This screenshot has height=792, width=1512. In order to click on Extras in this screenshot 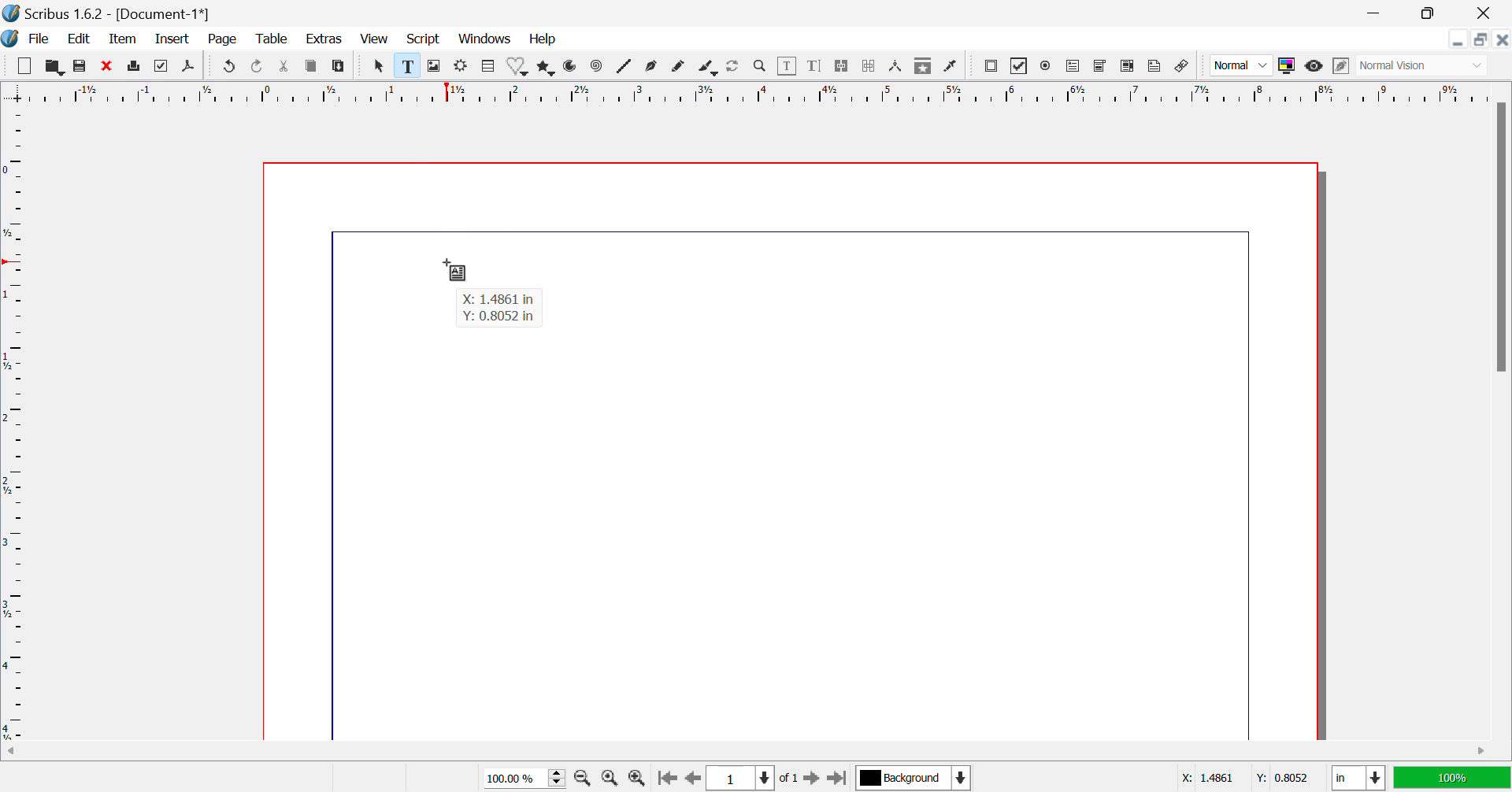, I will do `click(323, 39)`.